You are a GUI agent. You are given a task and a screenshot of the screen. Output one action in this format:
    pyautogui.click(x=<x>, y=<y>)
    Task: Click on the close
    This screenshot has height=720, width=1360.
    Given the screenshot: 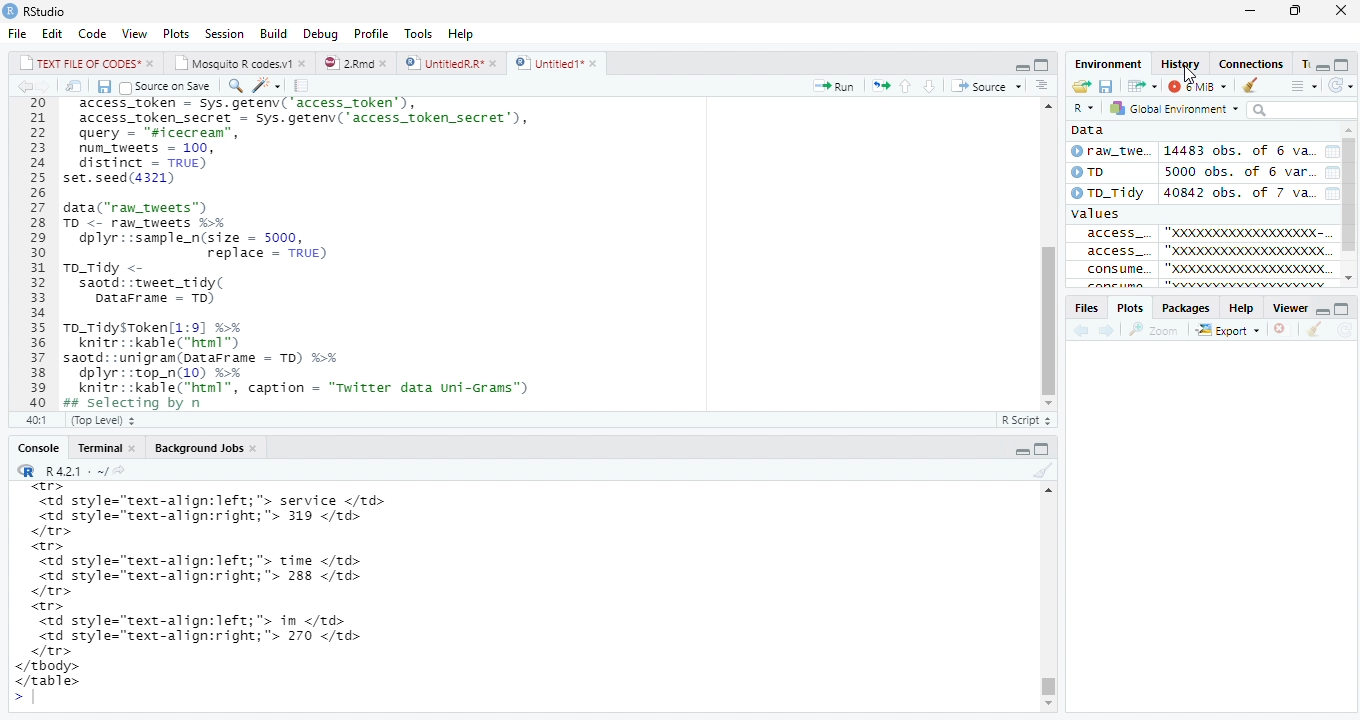 What is the action you would take?
    pyautogui.click(x=1344, y=12)
    